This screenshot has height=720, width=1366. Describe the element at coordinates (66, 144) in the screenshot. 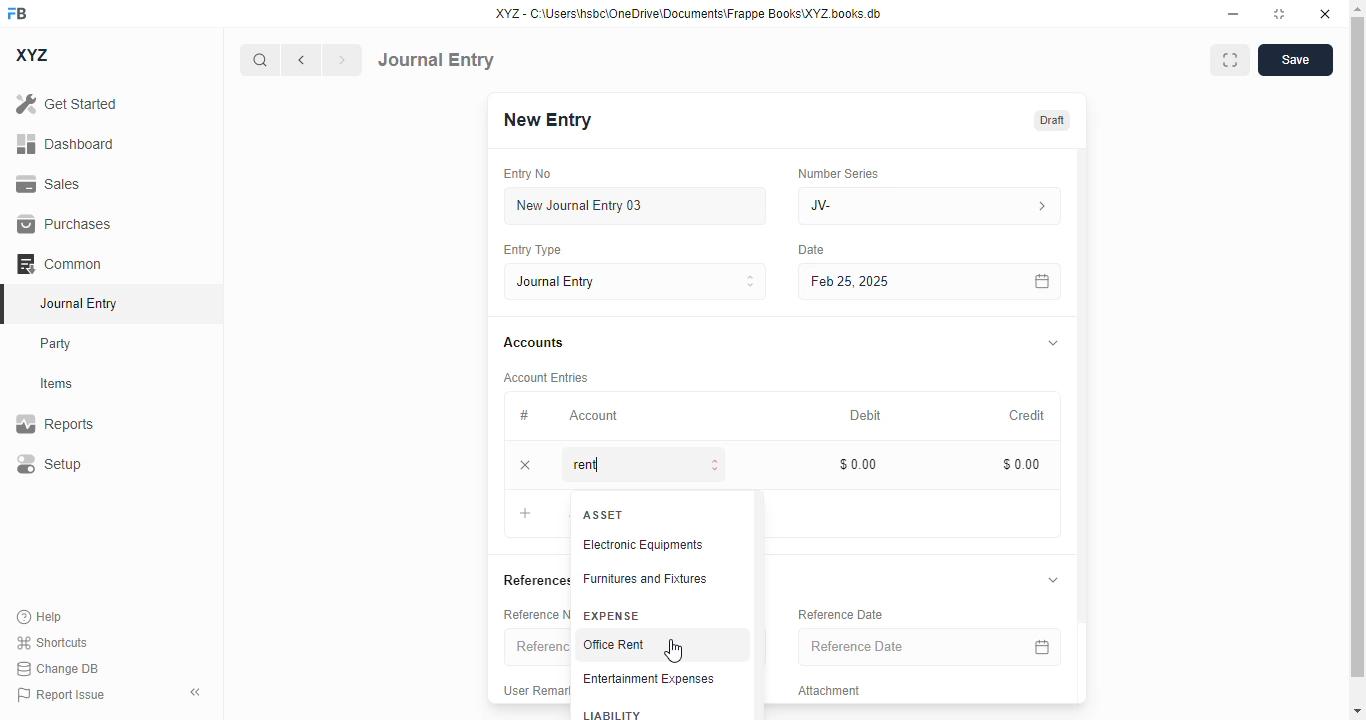

I see `dashboard` at that location.